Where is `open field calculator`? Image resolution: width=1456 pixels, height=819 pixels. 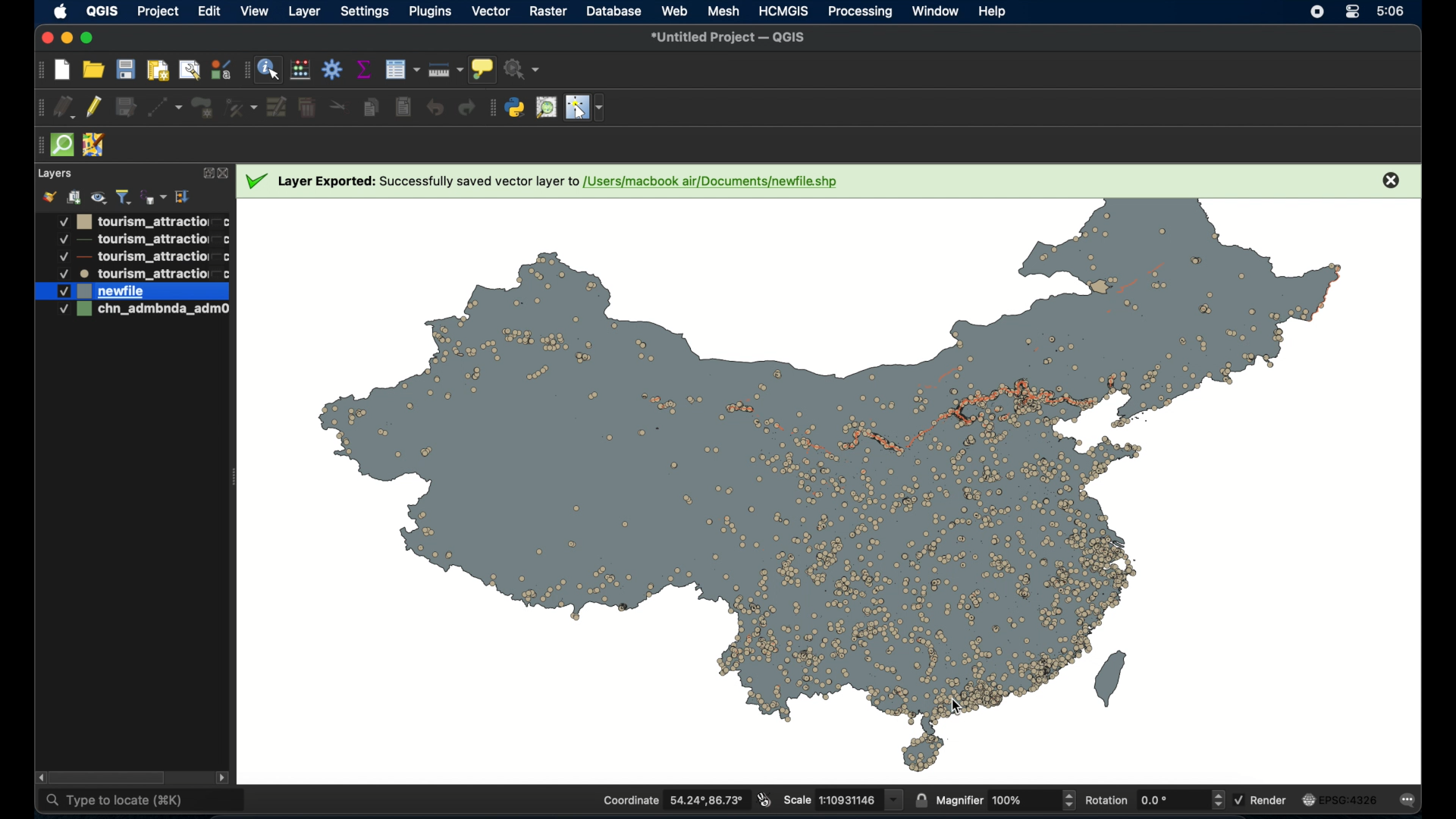 open field calculator is located at coordinates (300, 69).